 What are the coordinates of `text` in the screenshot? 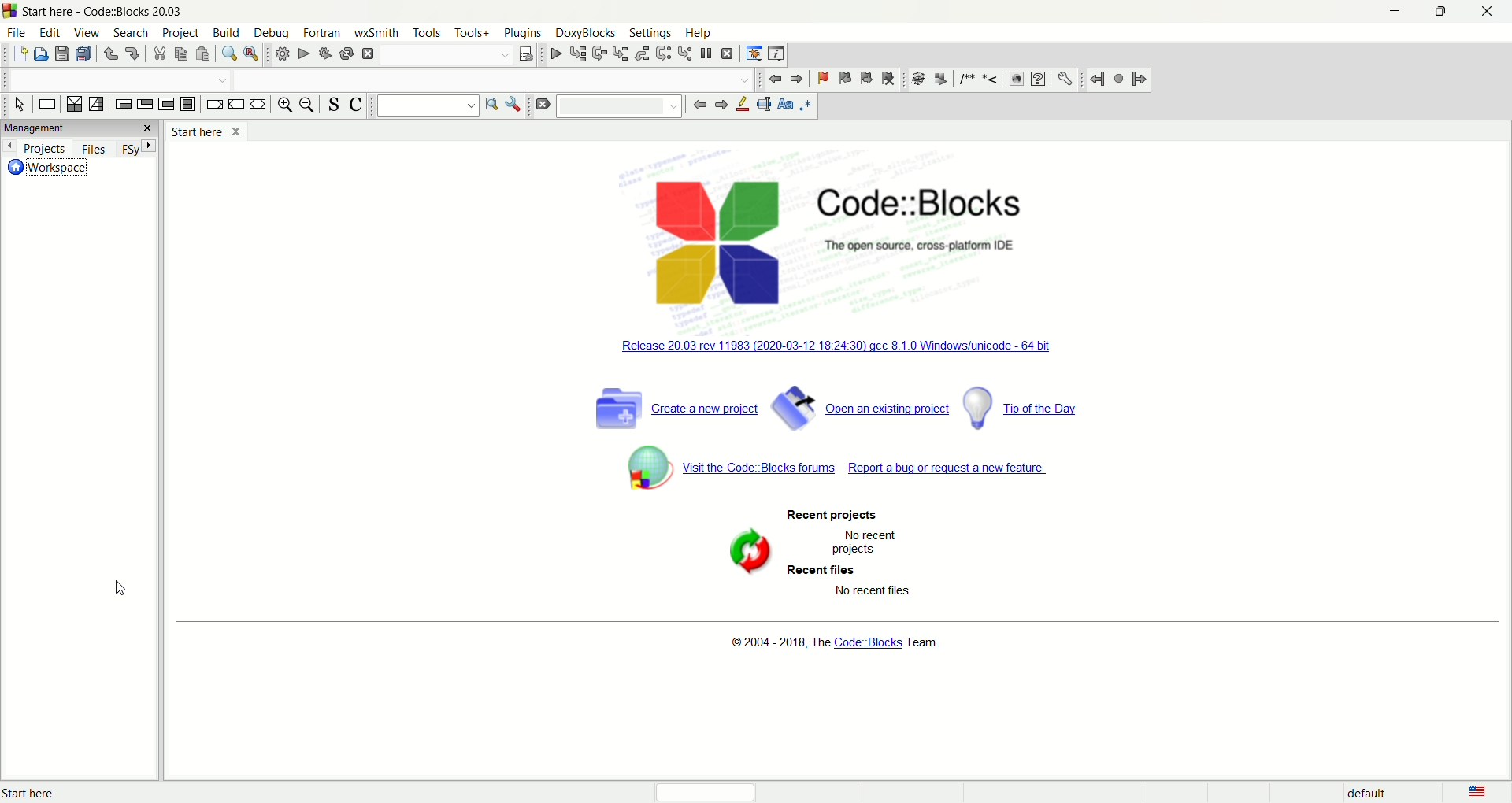 It's located at (781, 642).